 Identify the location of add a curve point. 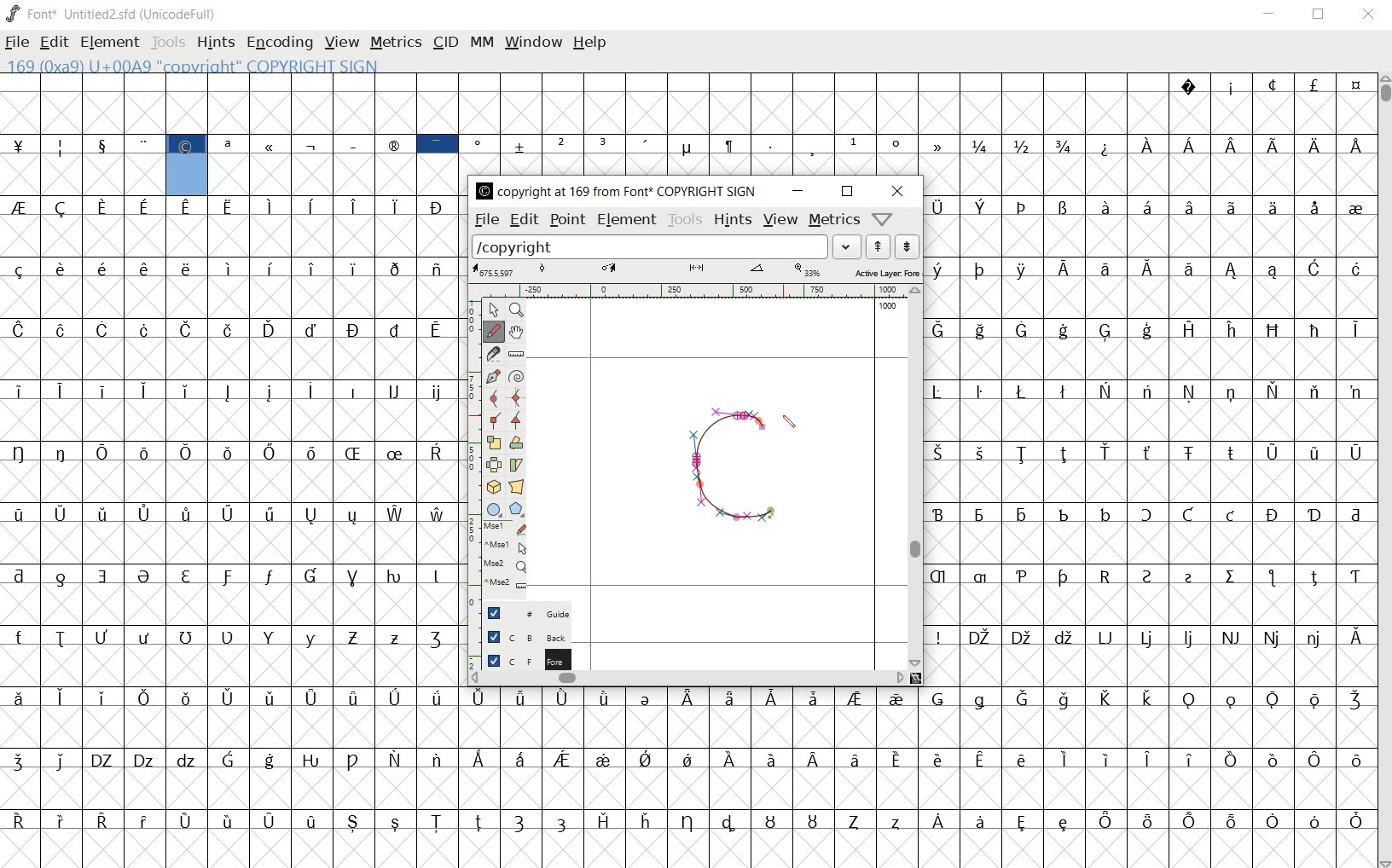
(495, 397).